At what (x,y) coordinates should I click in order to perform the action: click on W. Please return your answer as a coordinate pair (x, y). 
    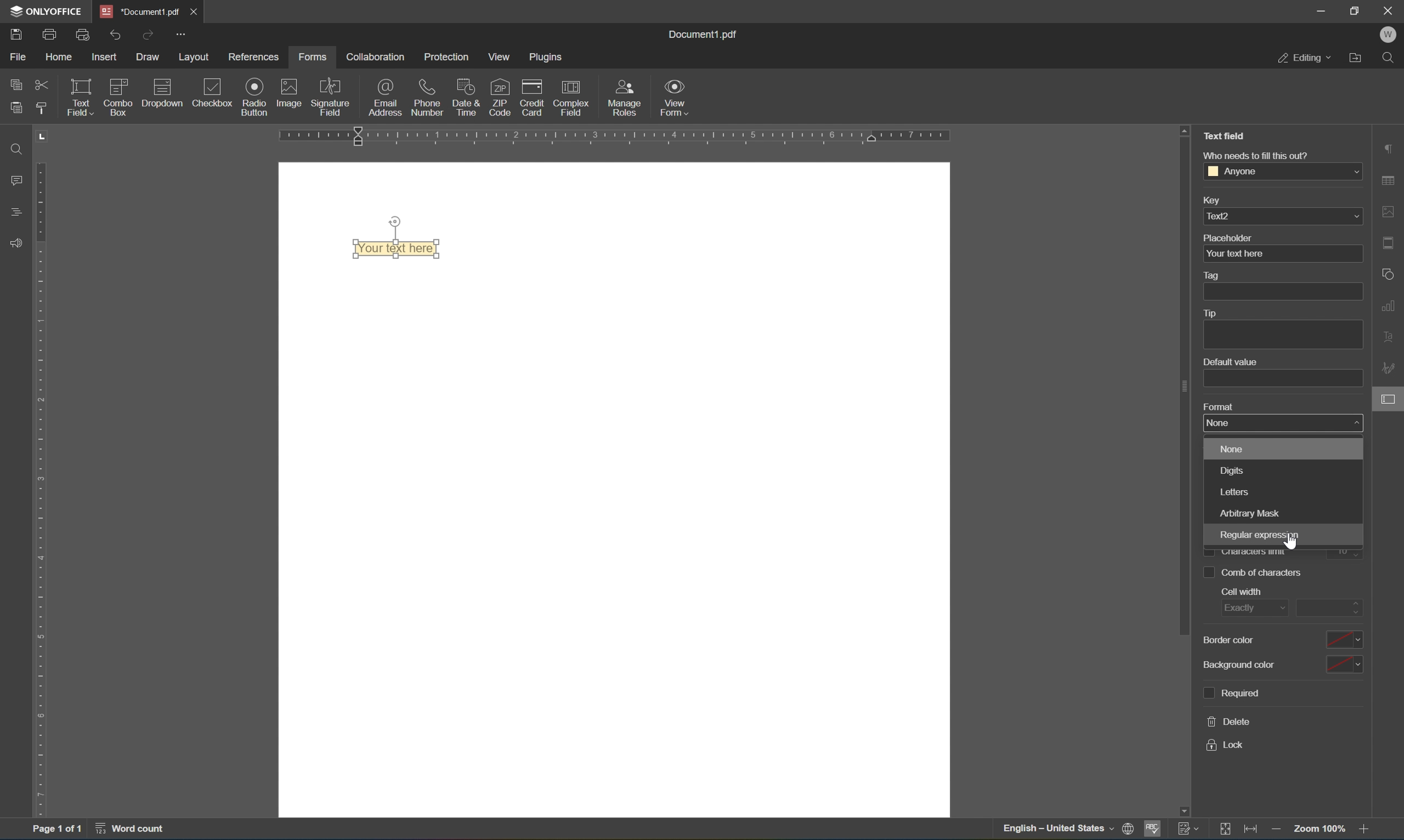
    Looking at the image, I should click on (1390, 34).